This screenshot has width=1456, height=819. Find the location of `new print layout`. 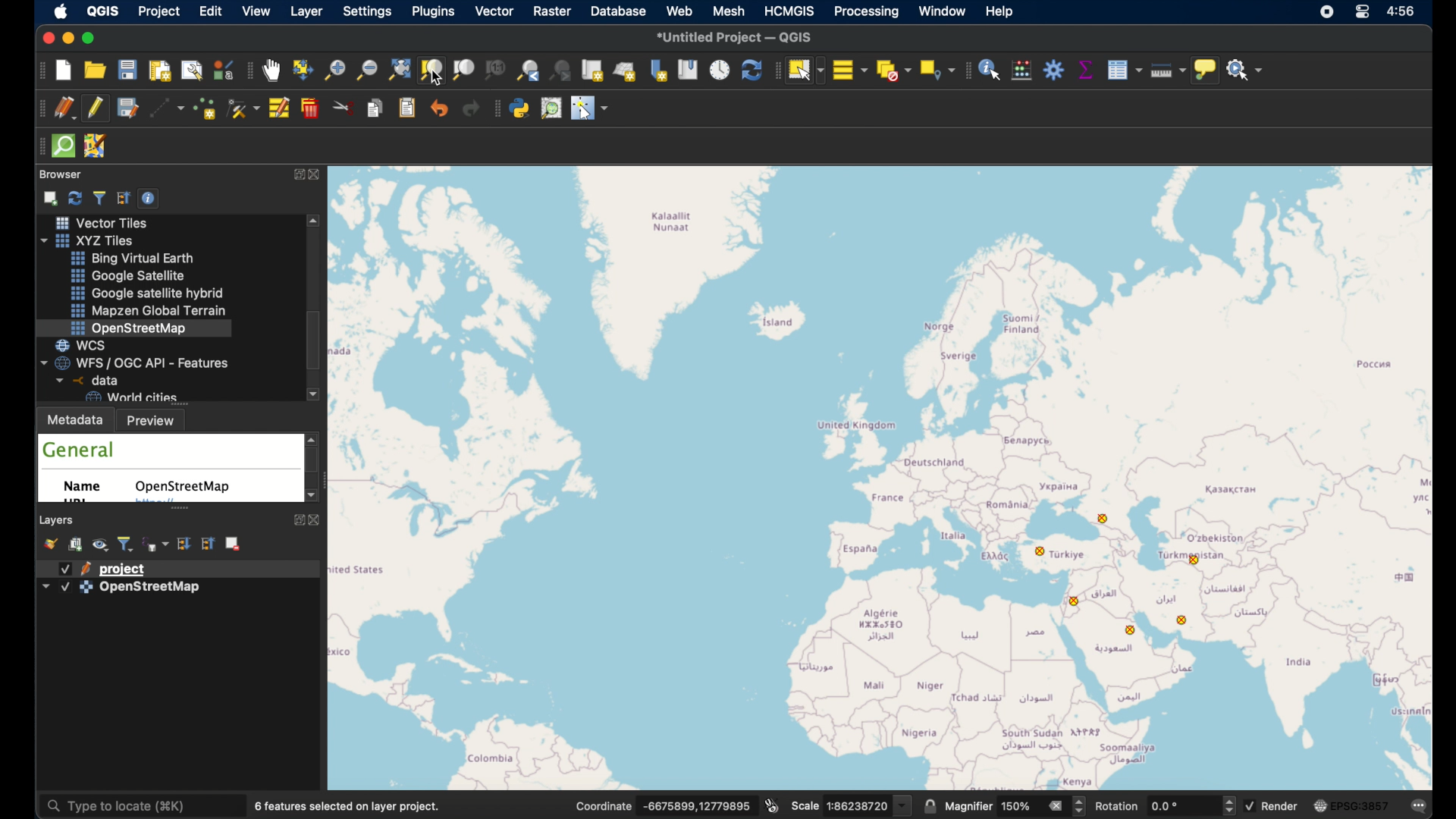

new print layout is located at coordinates (158, 71).